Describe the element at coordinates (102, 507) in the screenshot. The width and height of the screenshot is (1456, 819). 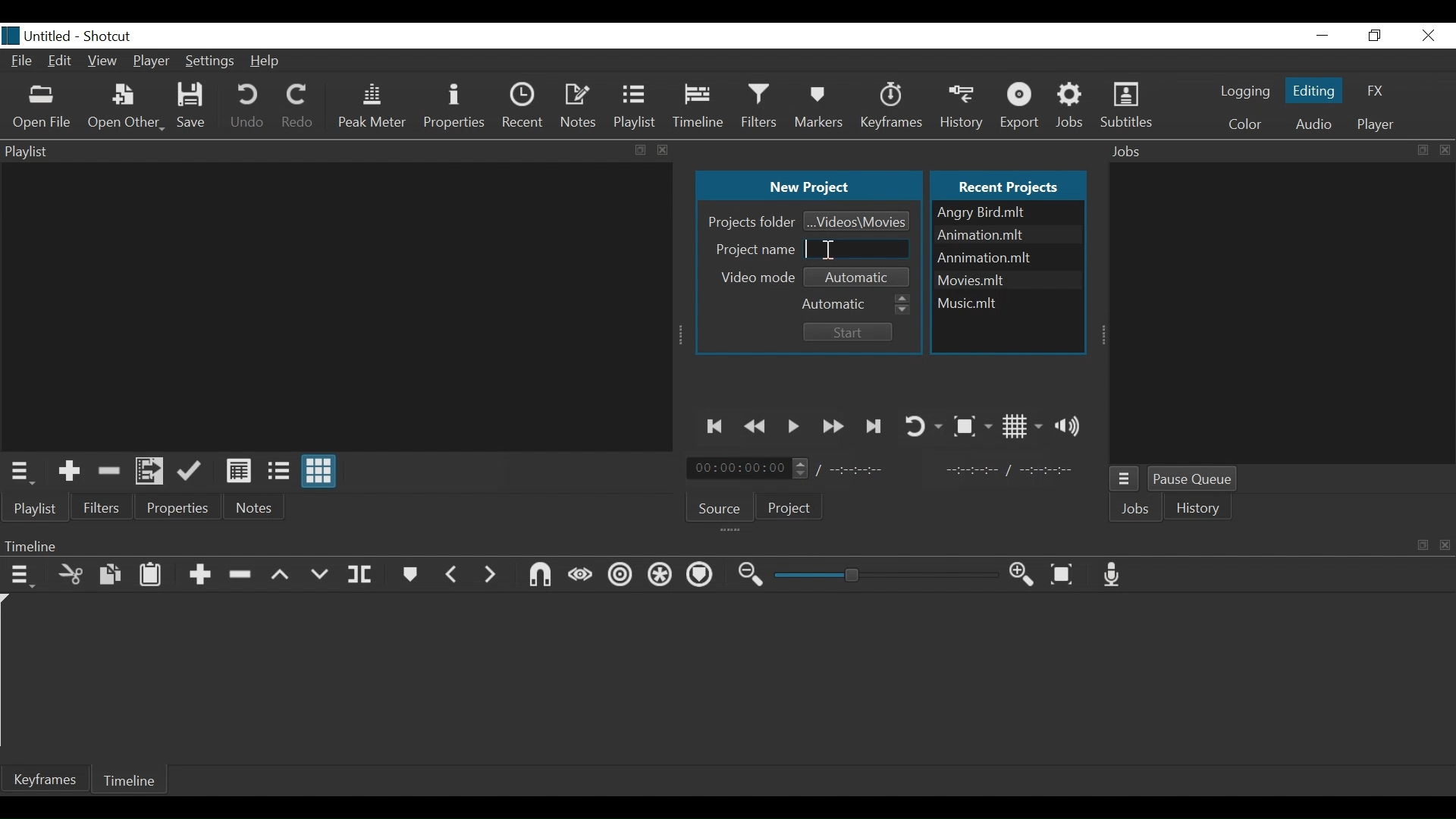
I see `Filters` at that location.